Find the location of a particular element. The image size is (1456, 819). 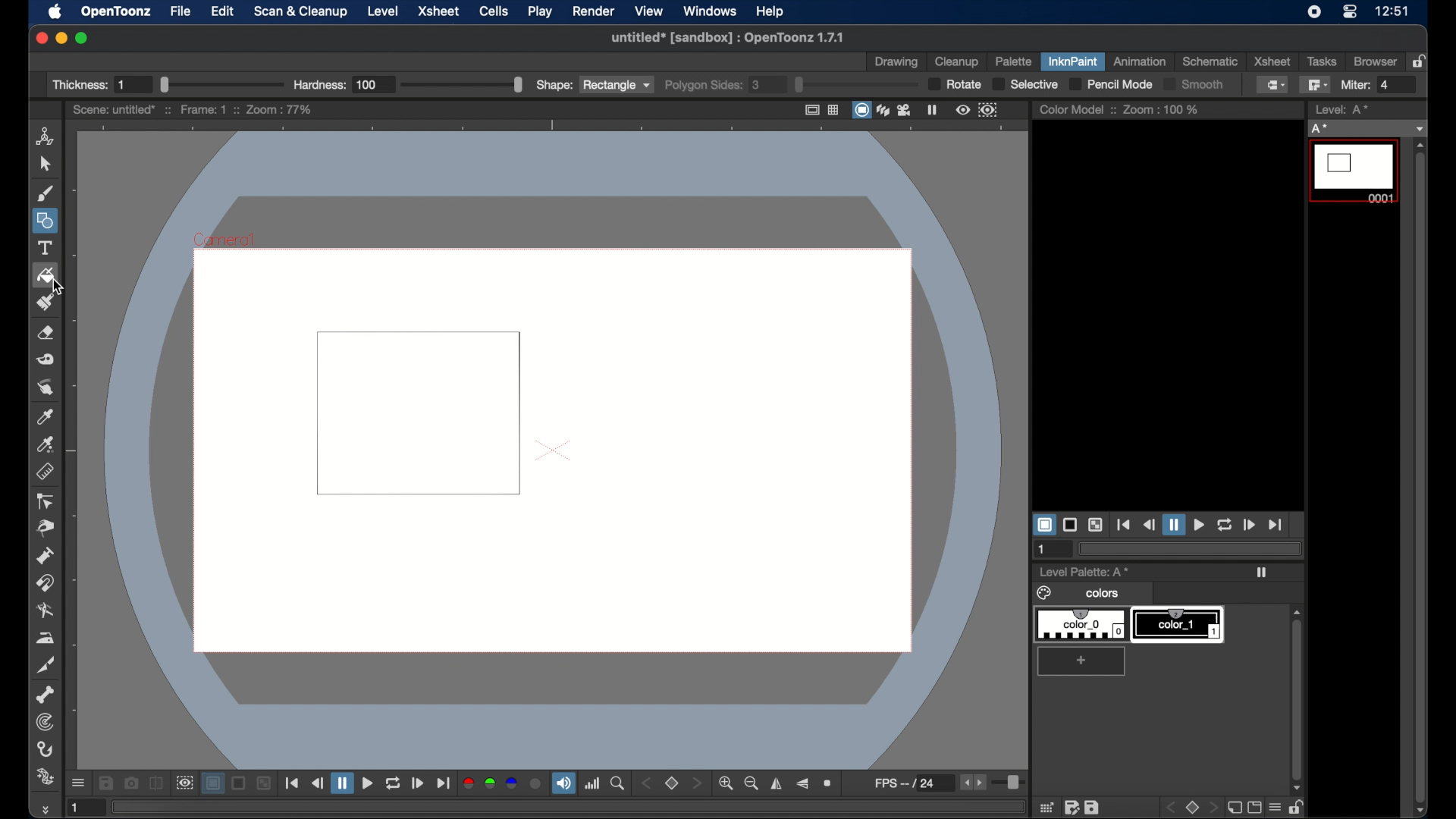

scroll box is located at coordinates (1296, 689).